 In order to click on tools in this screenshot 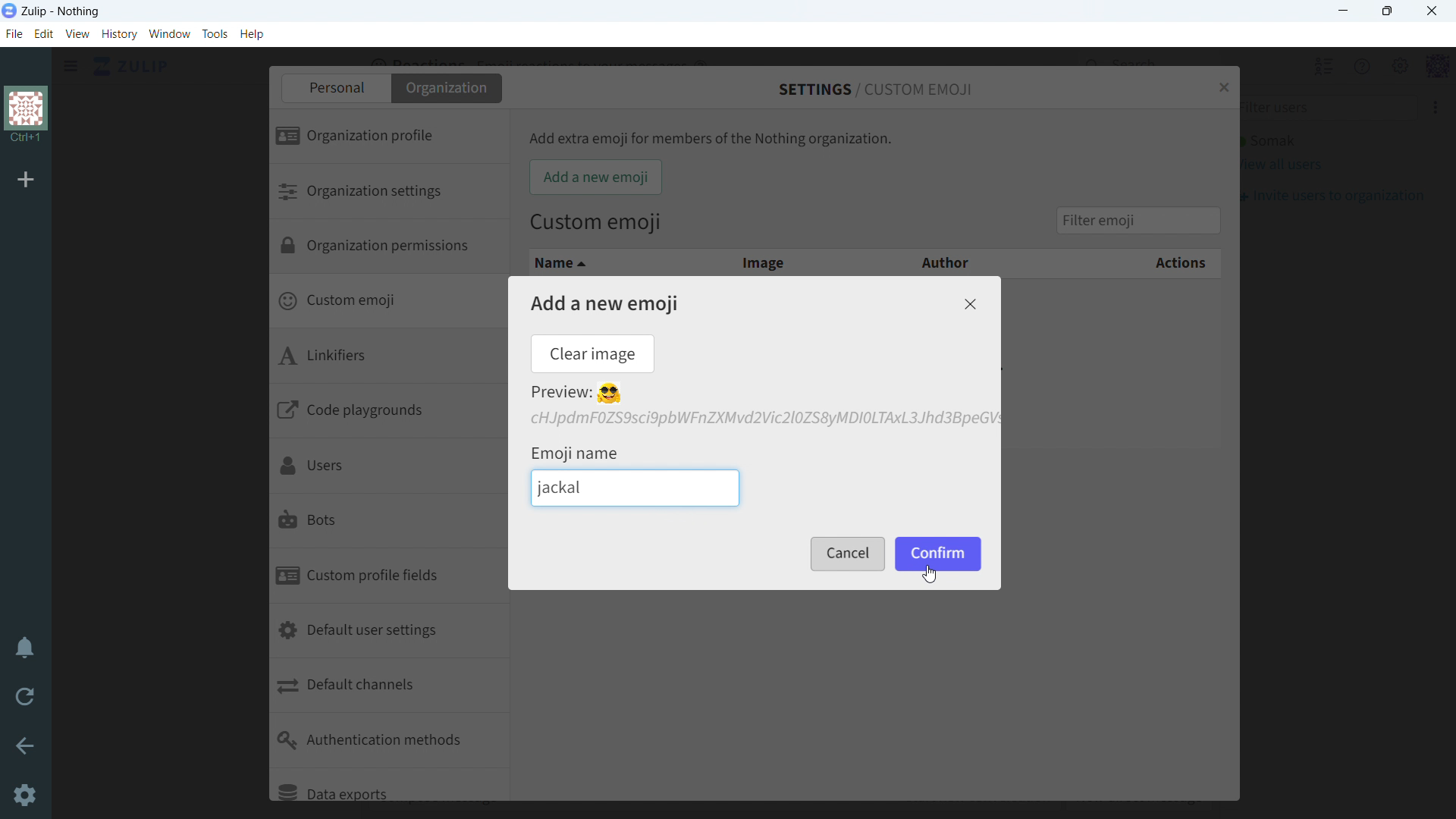, I will do `click(215, 33)`.